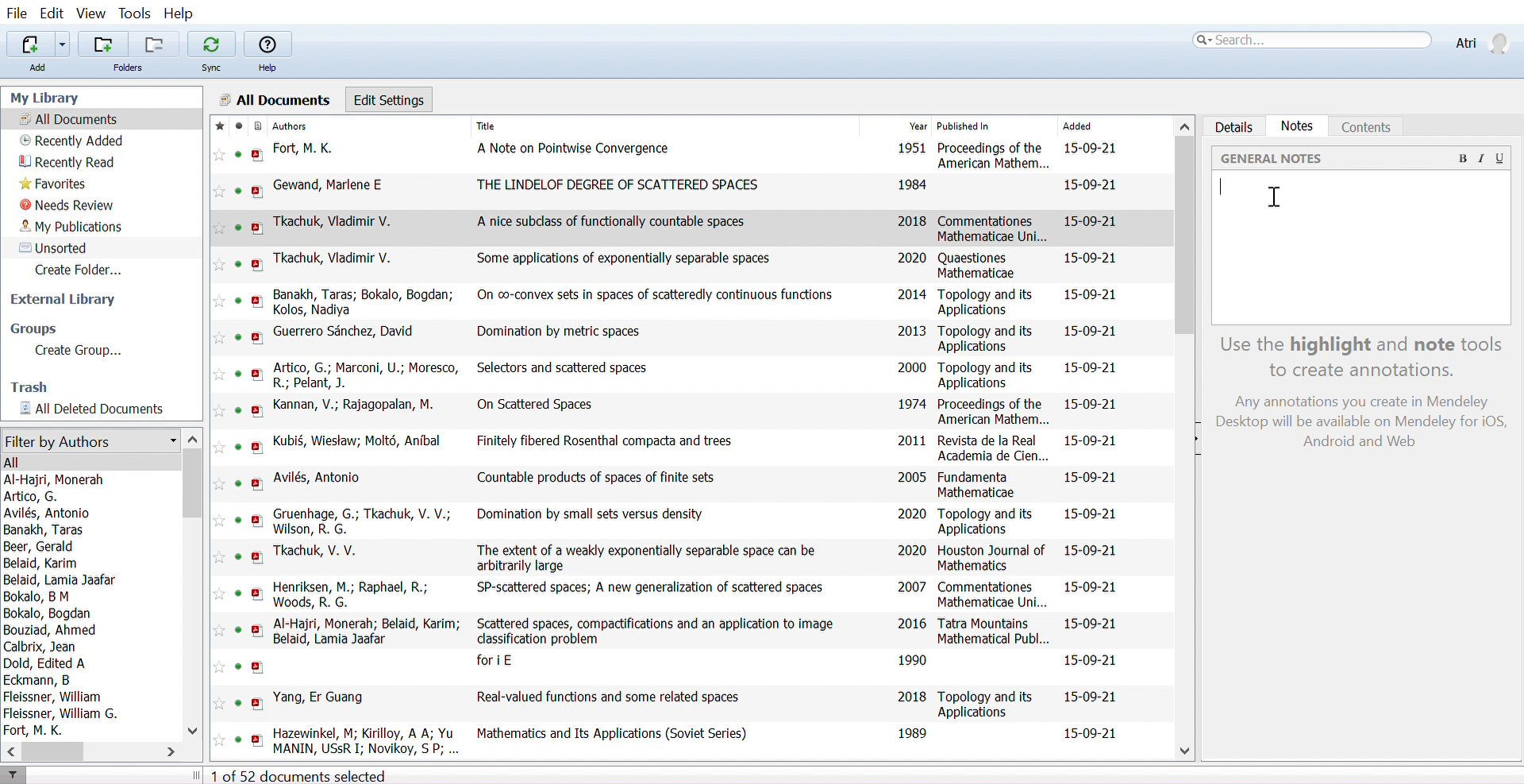 This screenshot has width=1524, height=784. I want to click on Unsorted, so click(55, 248).